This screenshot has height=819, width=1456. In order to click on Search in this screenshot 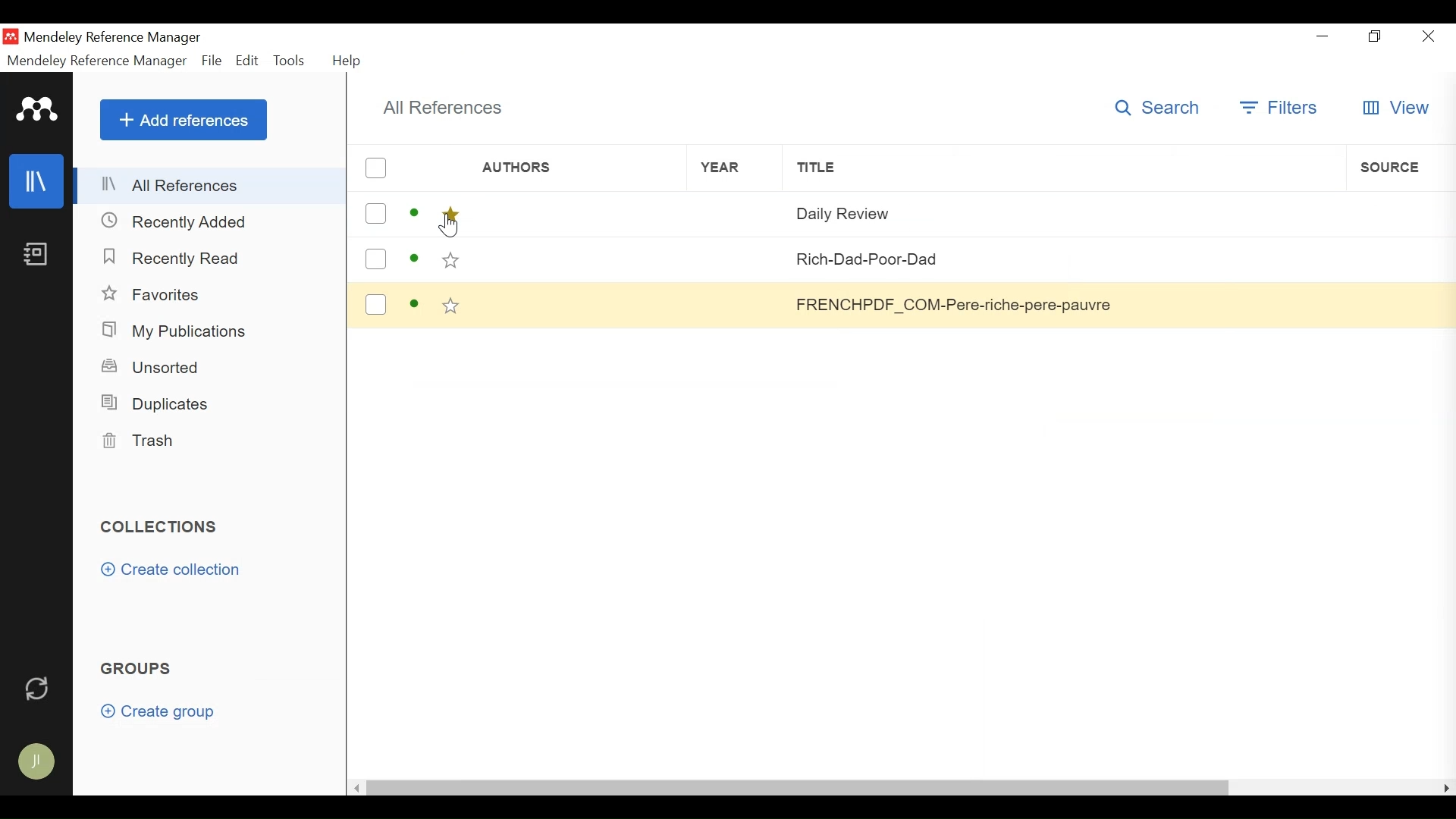, I will do `click(1157, 108)`.